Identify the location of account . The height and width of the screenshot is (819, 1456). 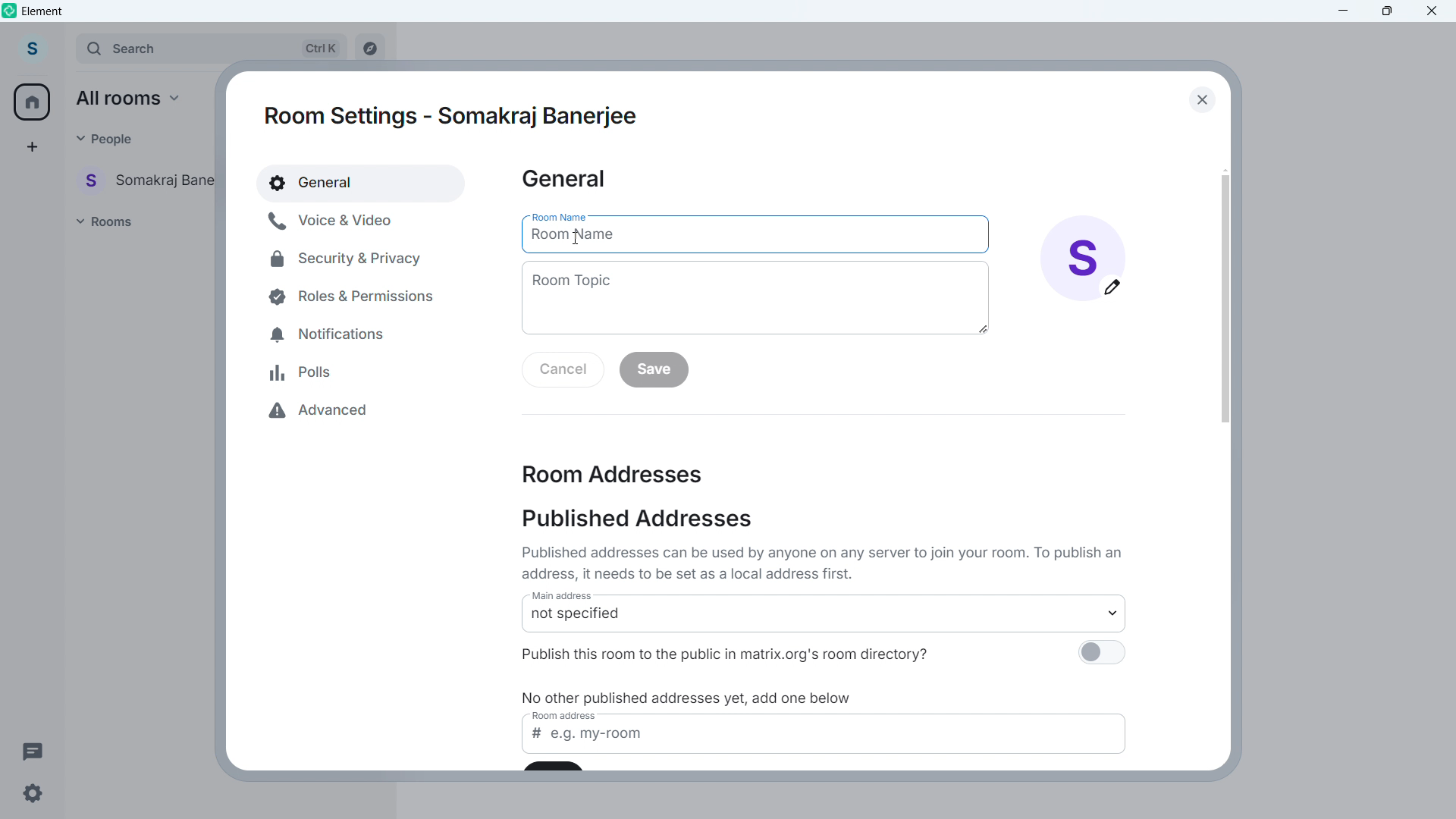
(35, 47).